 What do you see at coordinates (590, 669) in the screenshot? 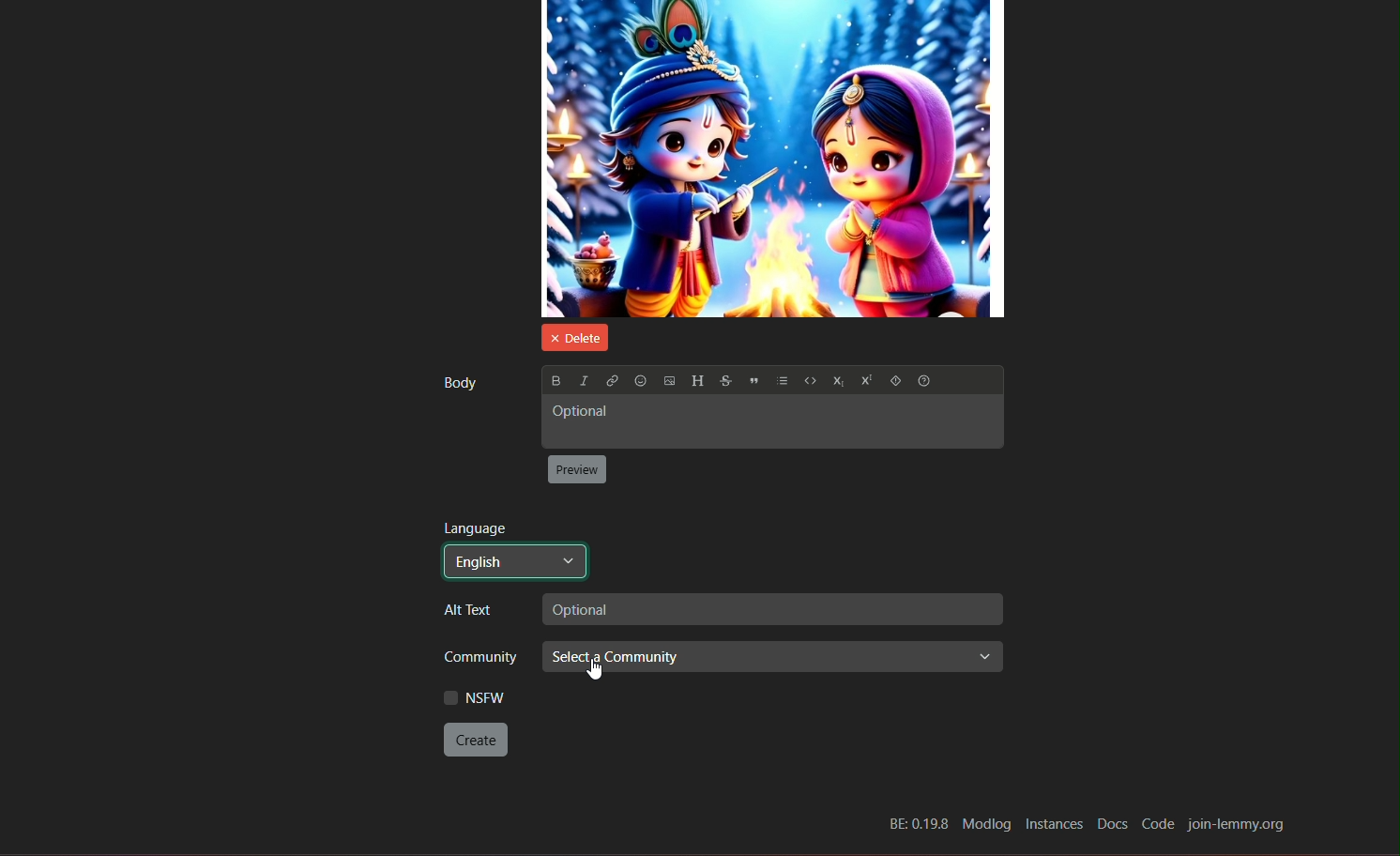
I see `Cursor` at bounding box center [590, 669].